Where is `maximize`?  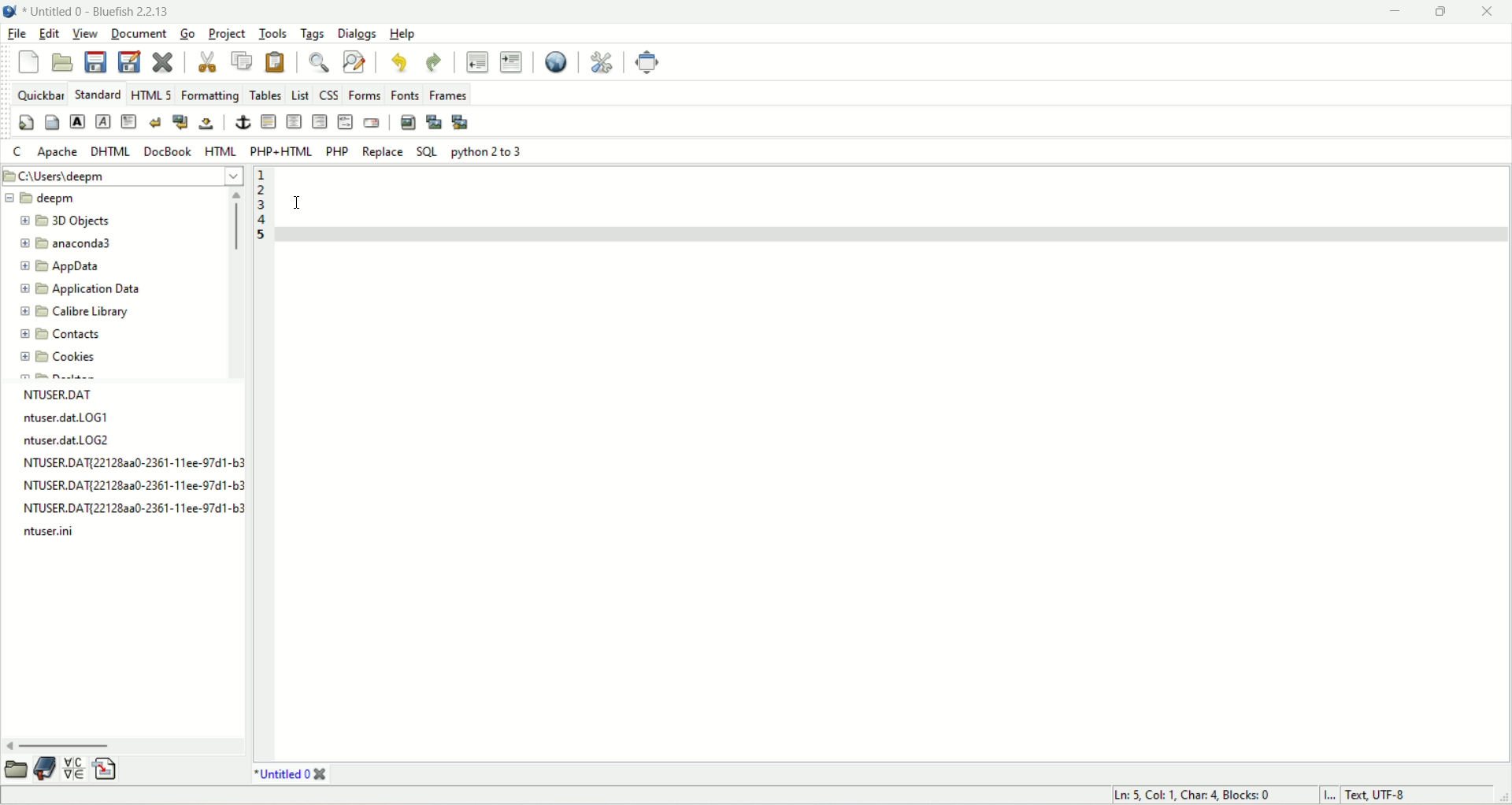 maximize is located at coordinates (1440, 12).